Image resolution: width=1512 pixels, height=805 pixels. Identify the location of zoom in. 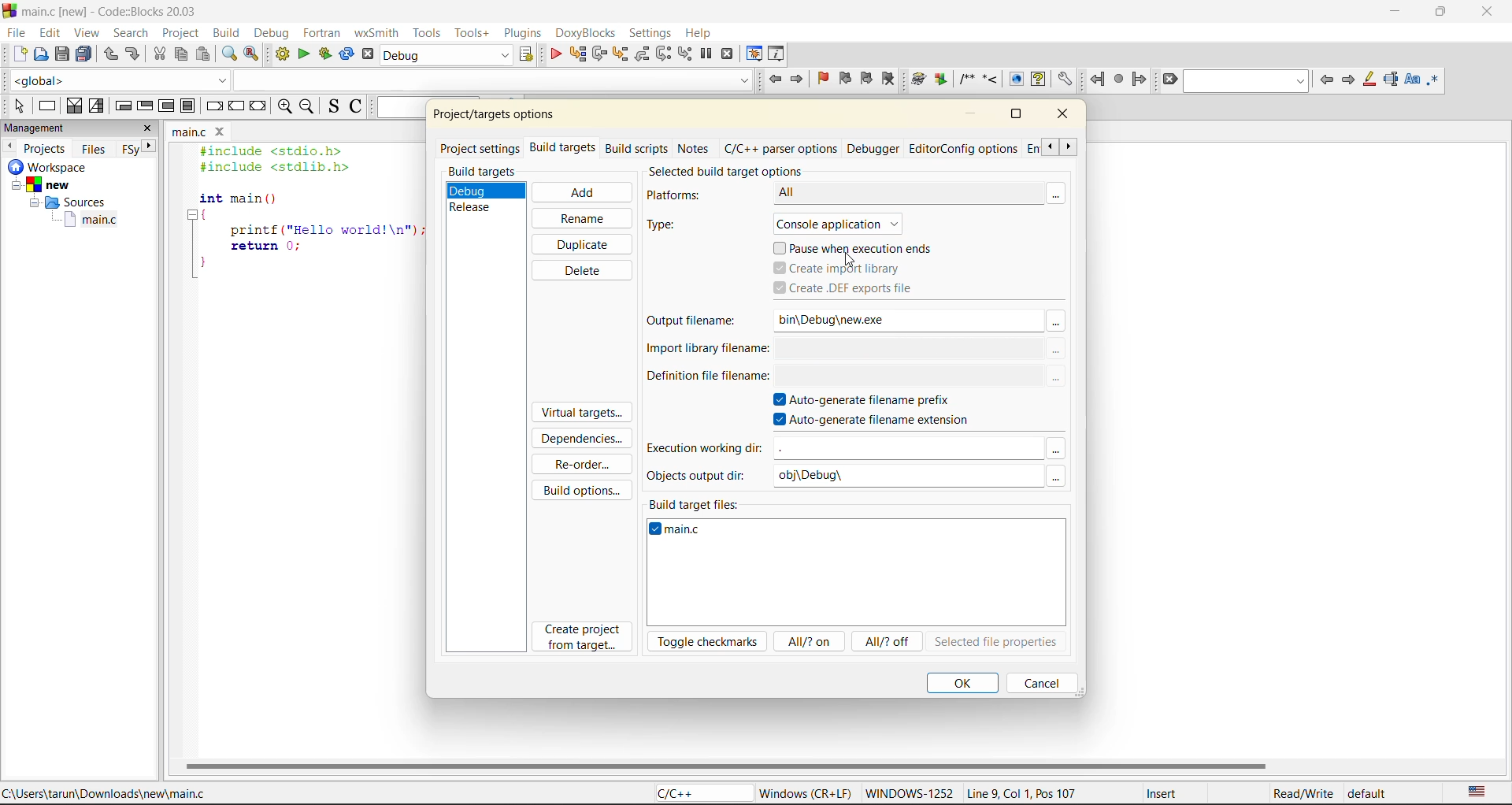
(283, 107).